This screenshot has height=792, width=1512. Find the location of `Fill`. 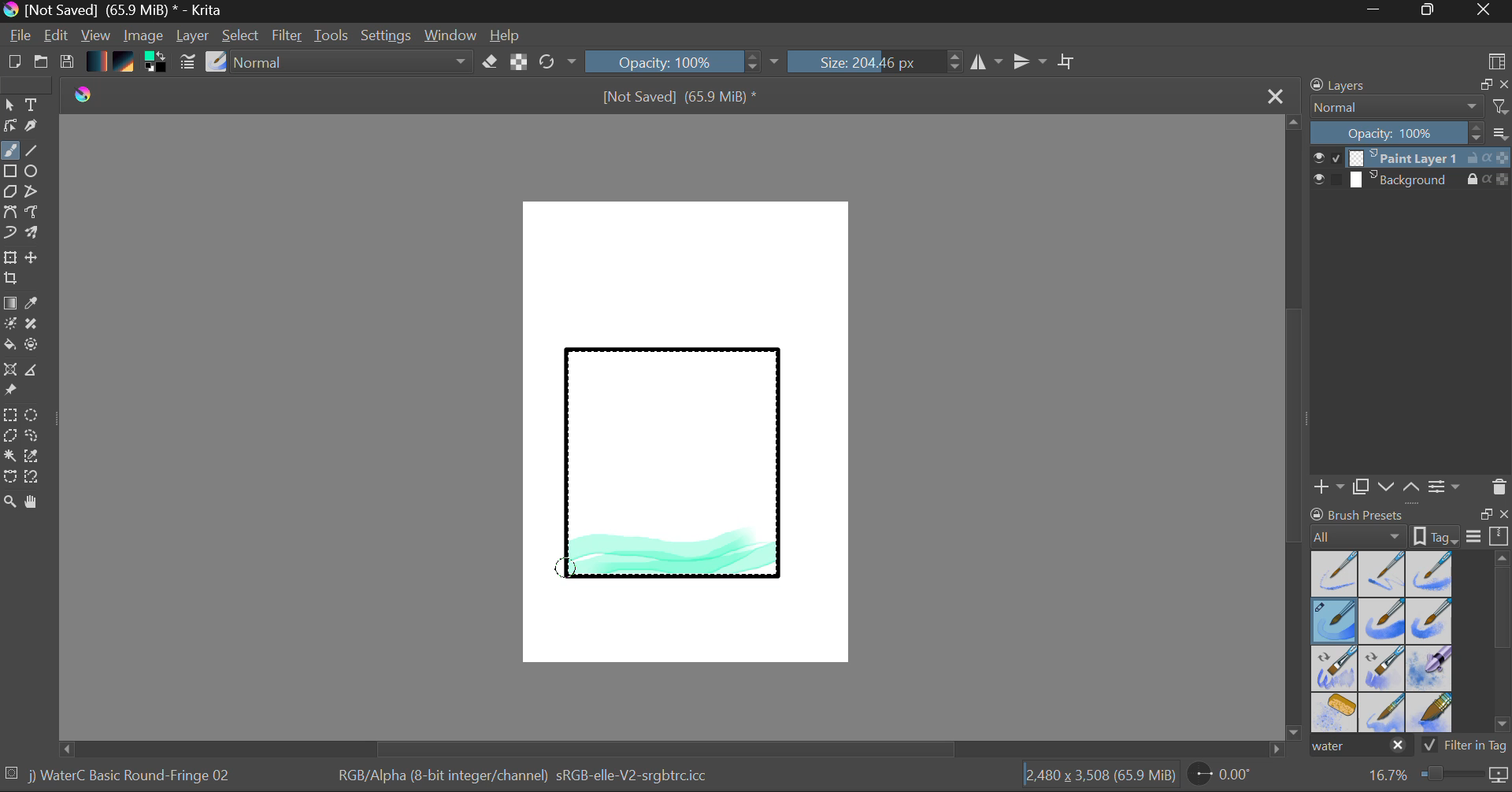

Fill is located at coordinates (9, 347).